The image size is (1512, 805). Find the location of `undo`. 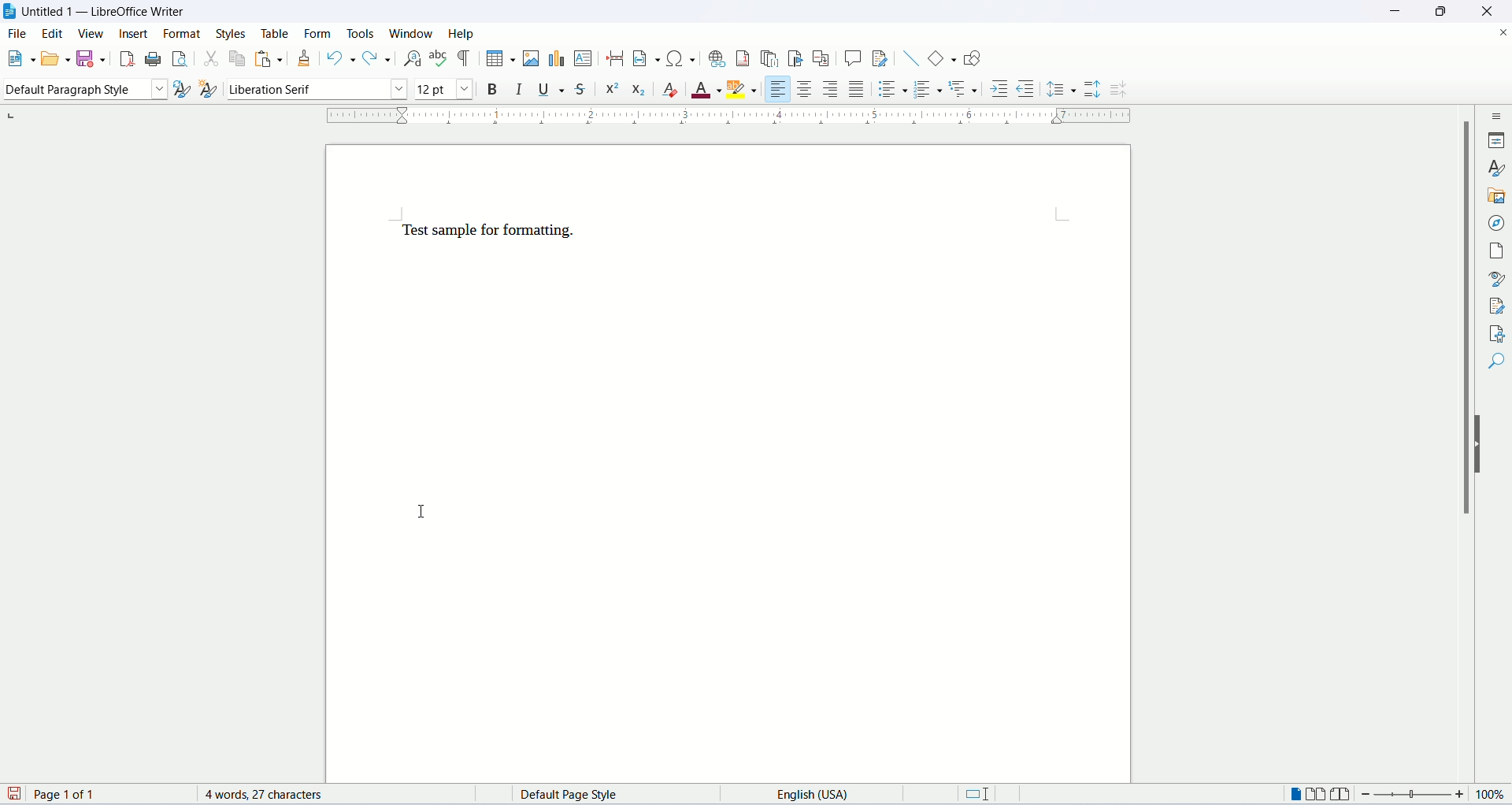

undo is located at coordinates (339, 58).